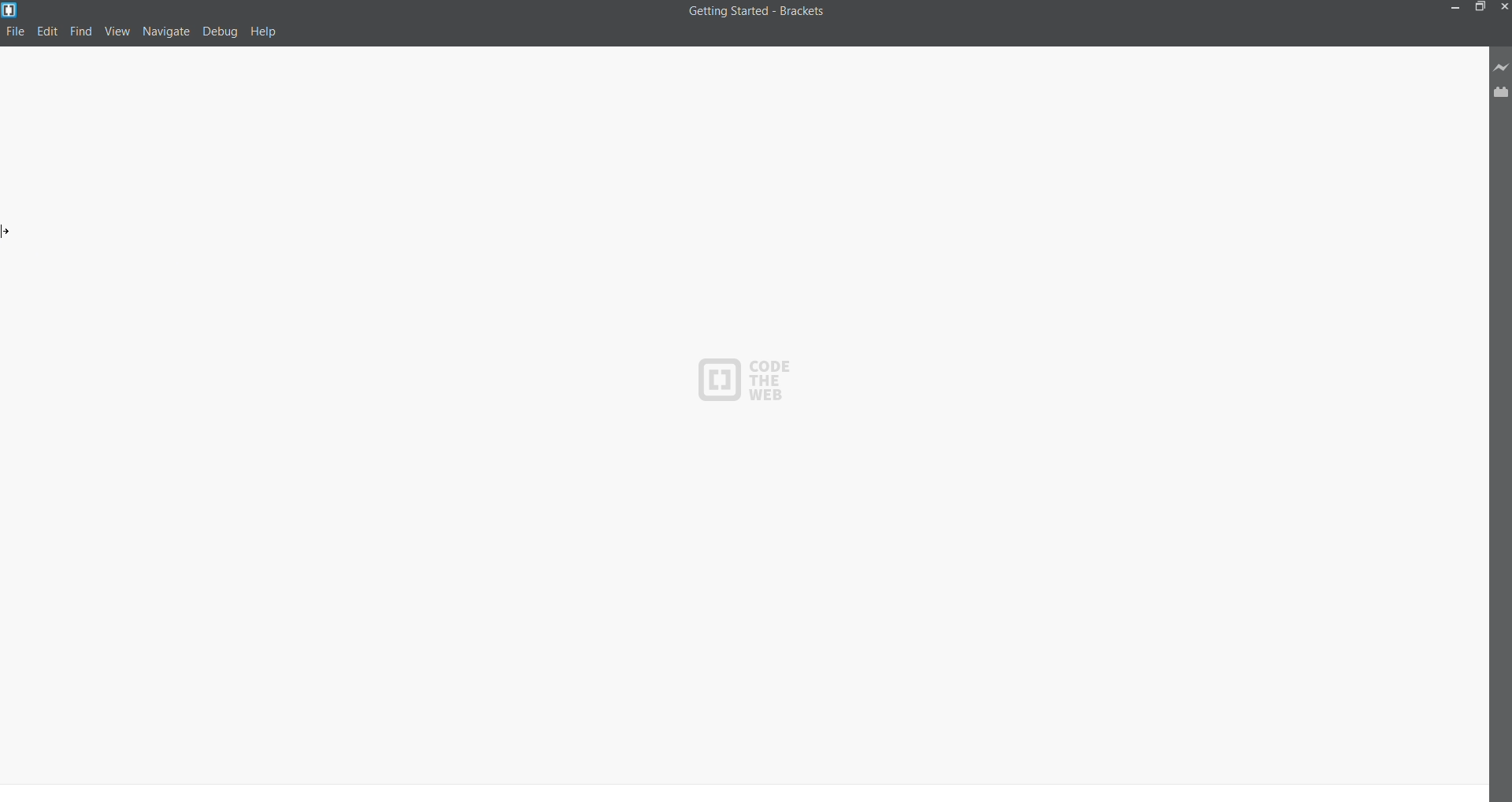  What do you see at coordinates (46, 32) in the screenshot?
I see `edit` at bounding box center [46, 32].